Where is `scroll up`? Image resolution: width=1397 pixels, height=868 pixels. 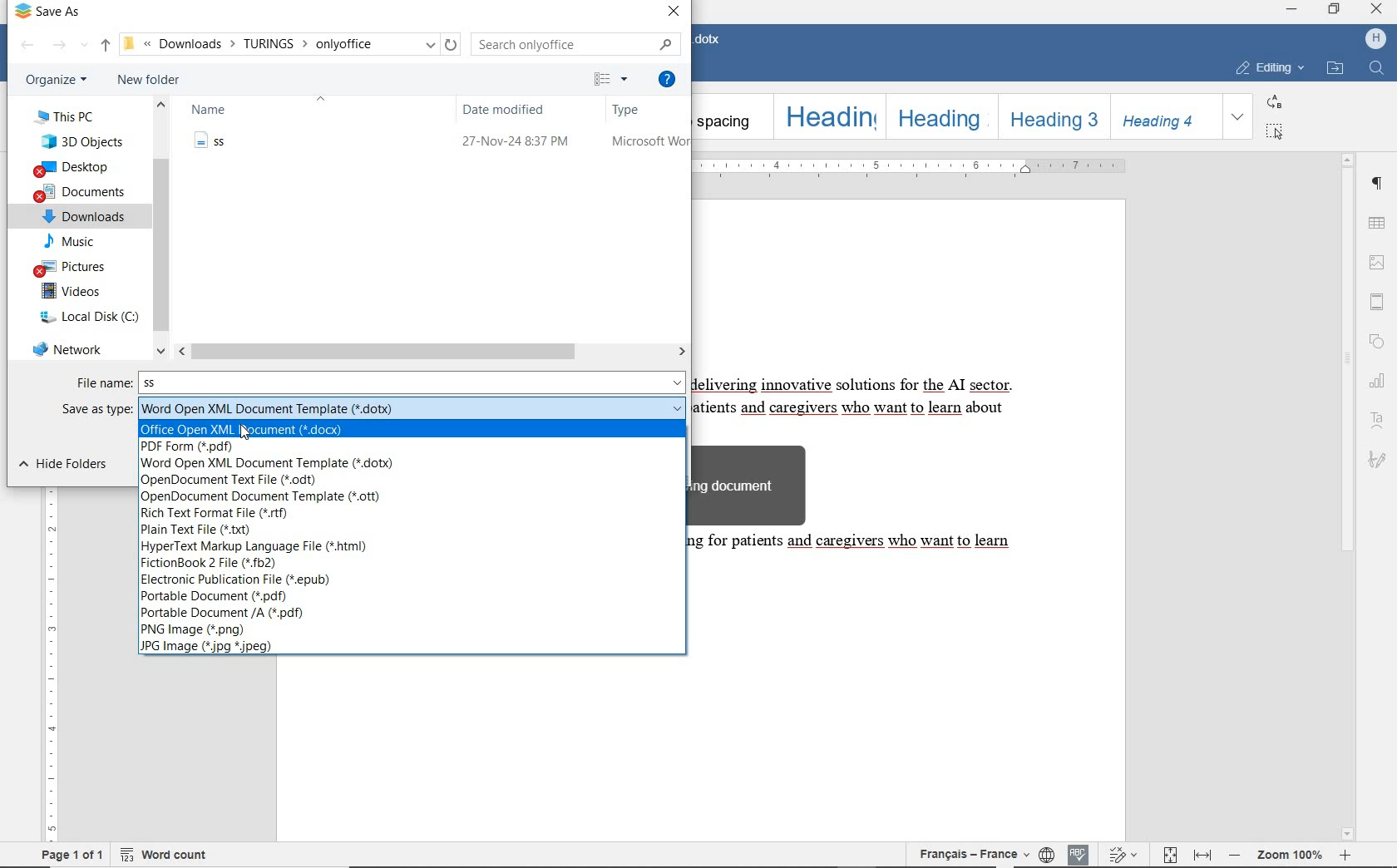 scroll up is located at coordinates (1347, 159).